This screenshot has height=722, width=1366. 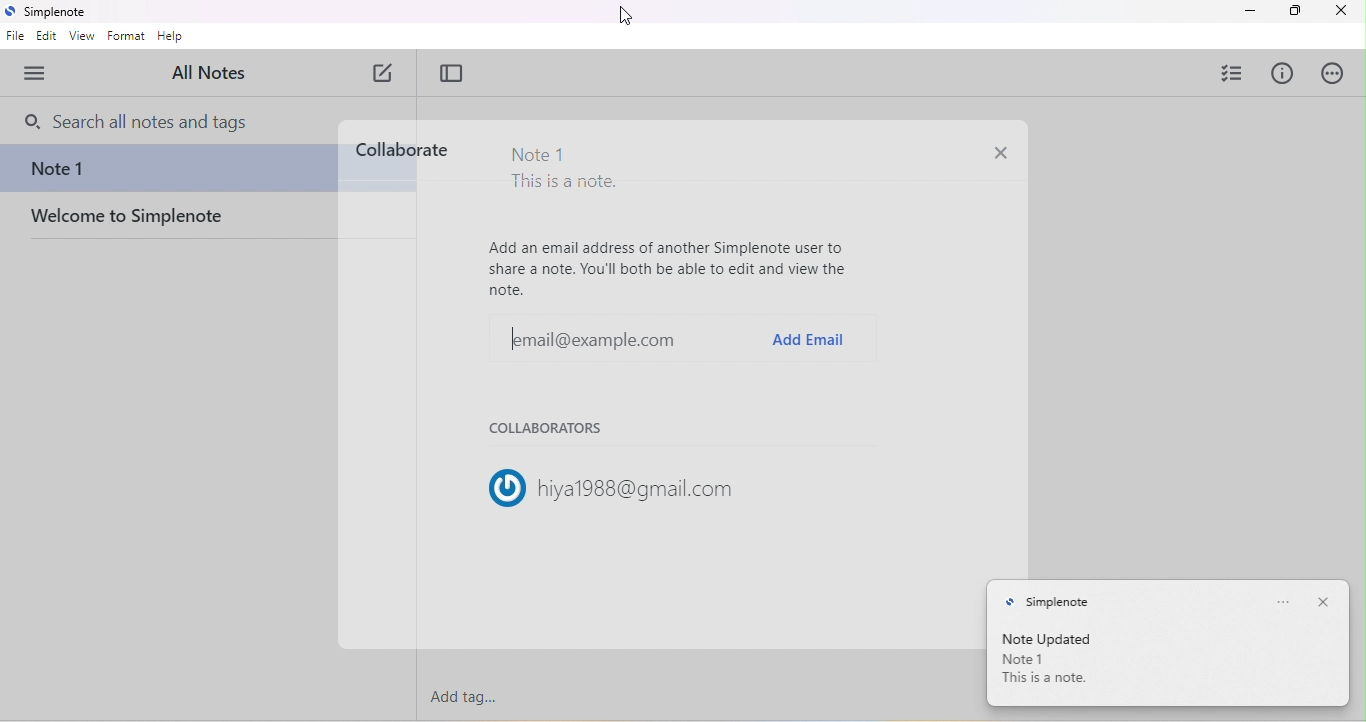 What do you see at coordinates (172, 223) in the screenshot?
I see `welcome to simplenote` at bounding box center [172, 223].